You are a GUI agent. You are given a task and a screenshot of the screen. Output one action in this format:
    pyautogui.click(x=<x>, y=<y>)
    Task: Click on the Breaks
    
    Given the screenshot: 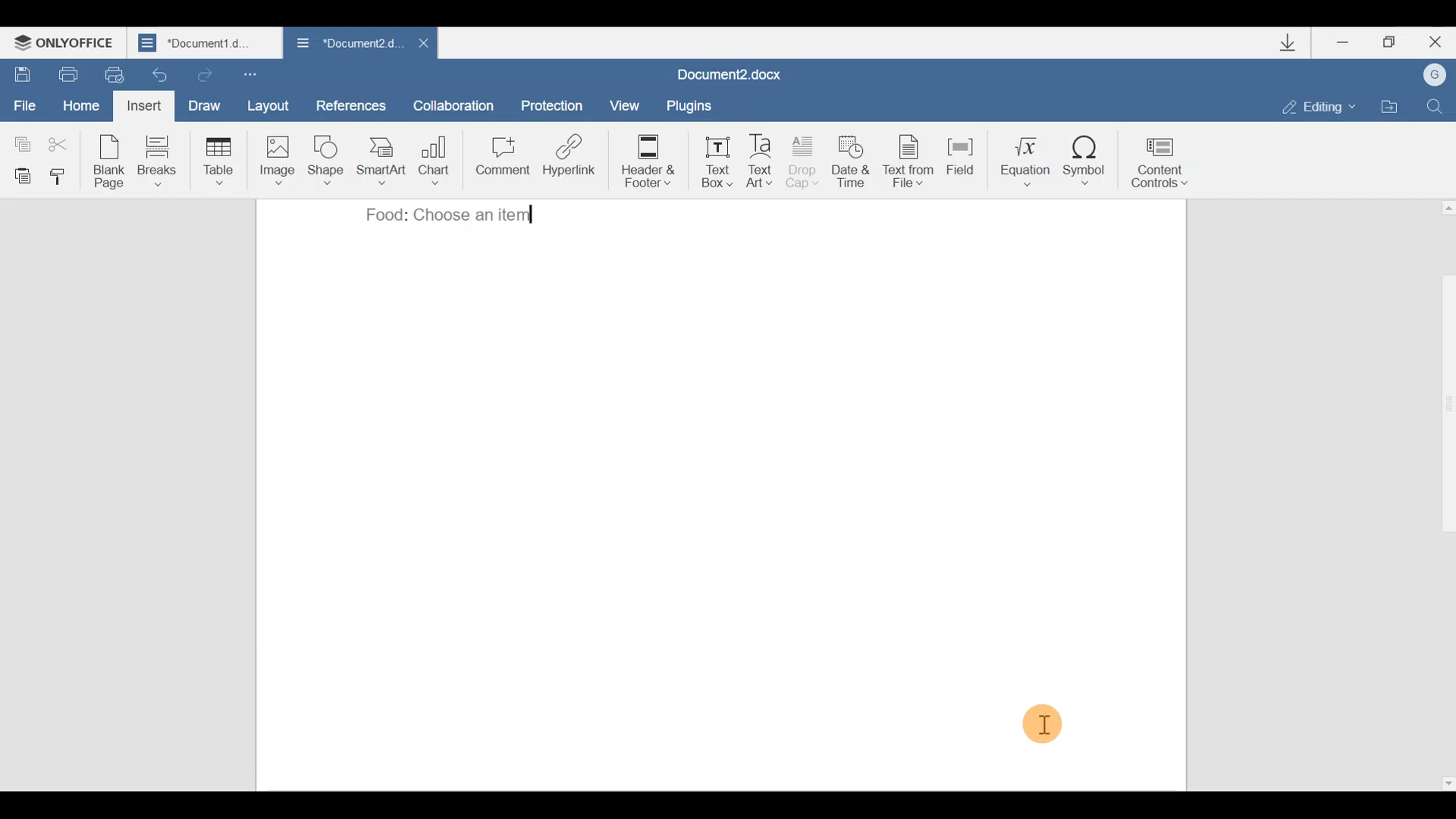 What is the action you would take?
    pyautogui.click(x=155, y=161)
    